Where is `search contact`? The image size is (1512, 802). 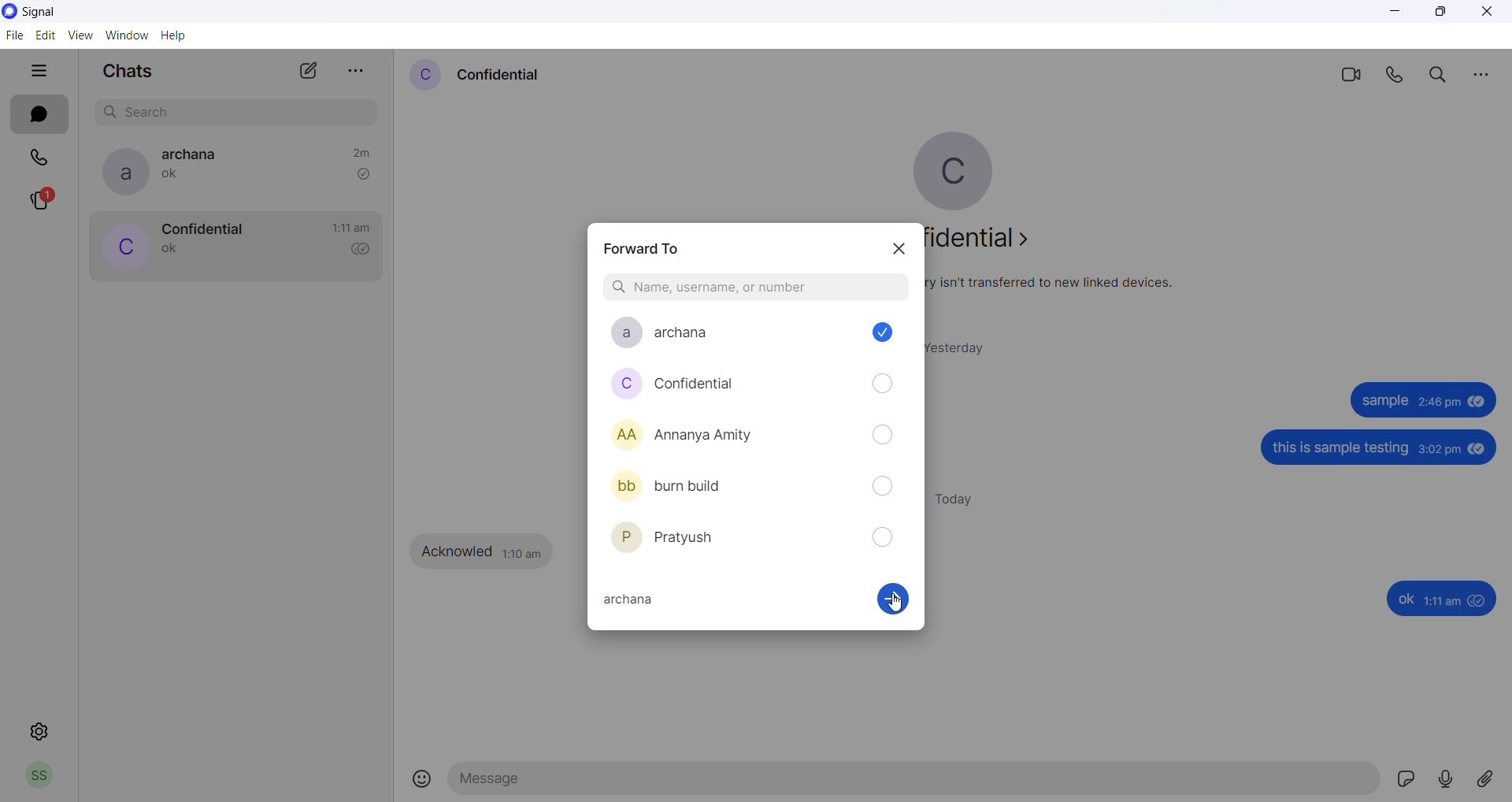 search contact is located at coordinates (754, 288).